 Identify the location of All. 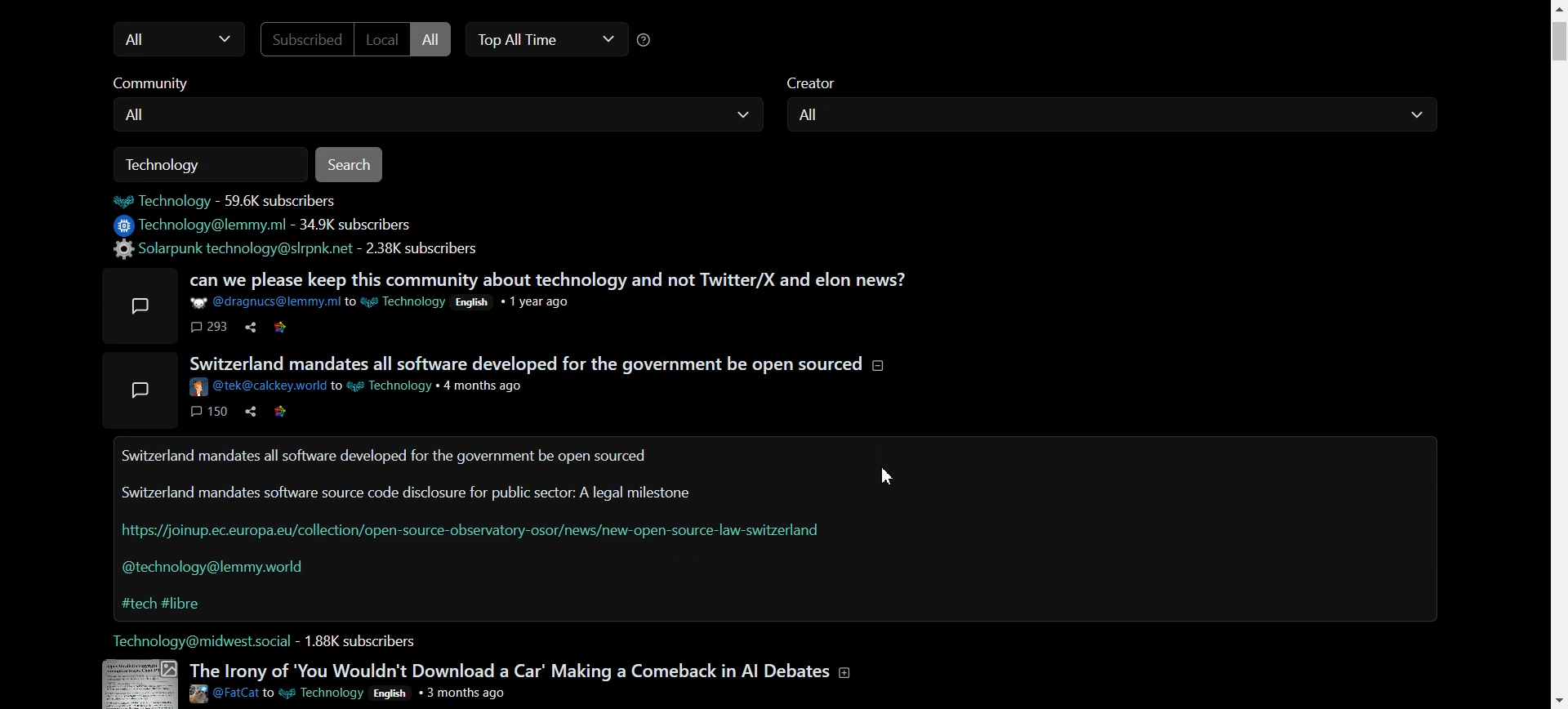
(434, 118).